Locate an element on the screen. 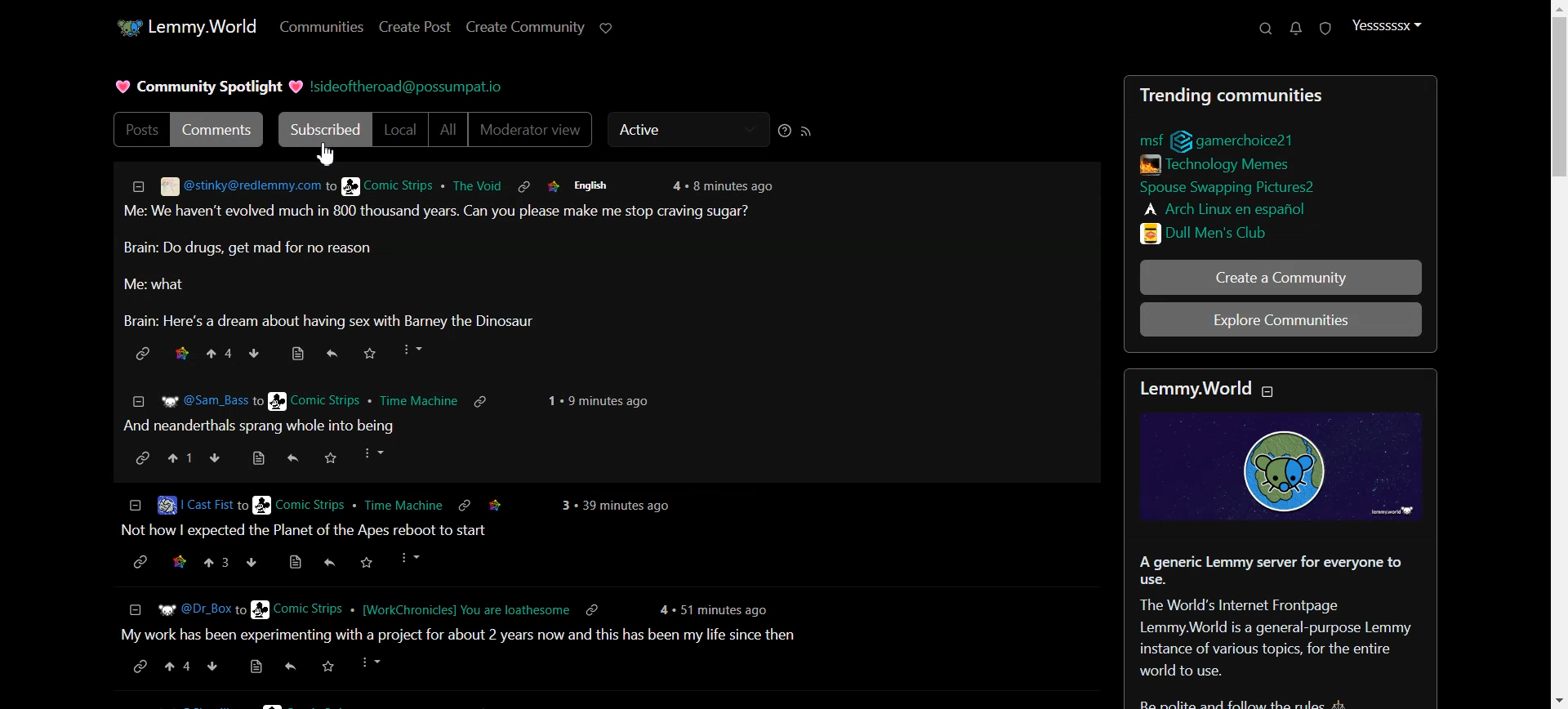 The image size is (1568, 709). copy link is located at coordinates (593, 609).